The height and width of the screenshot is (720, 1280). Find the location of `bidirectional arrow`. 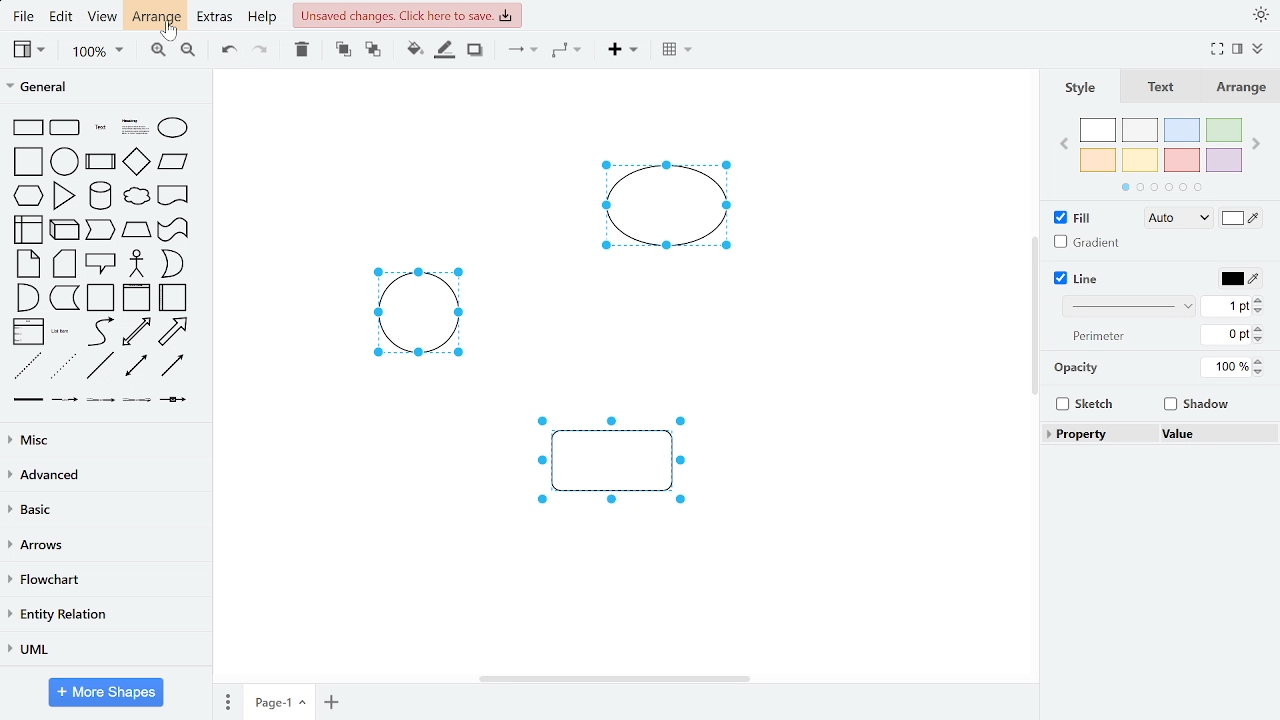

bidirectional arrow is located at coordinates (137, 332).